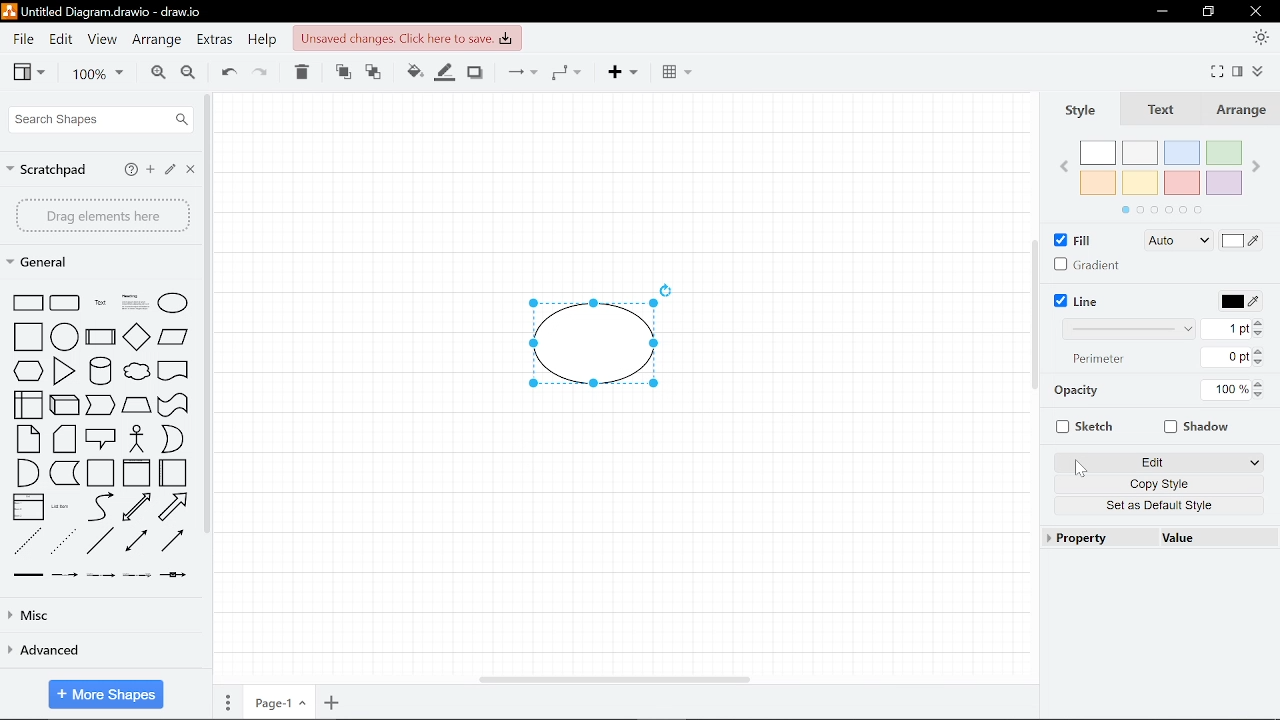 Image resolution: width=1280 pixels, height=720 pixels. Describe the element at coordinates (61, 506) in the screenshot. I see `list item` at that location.